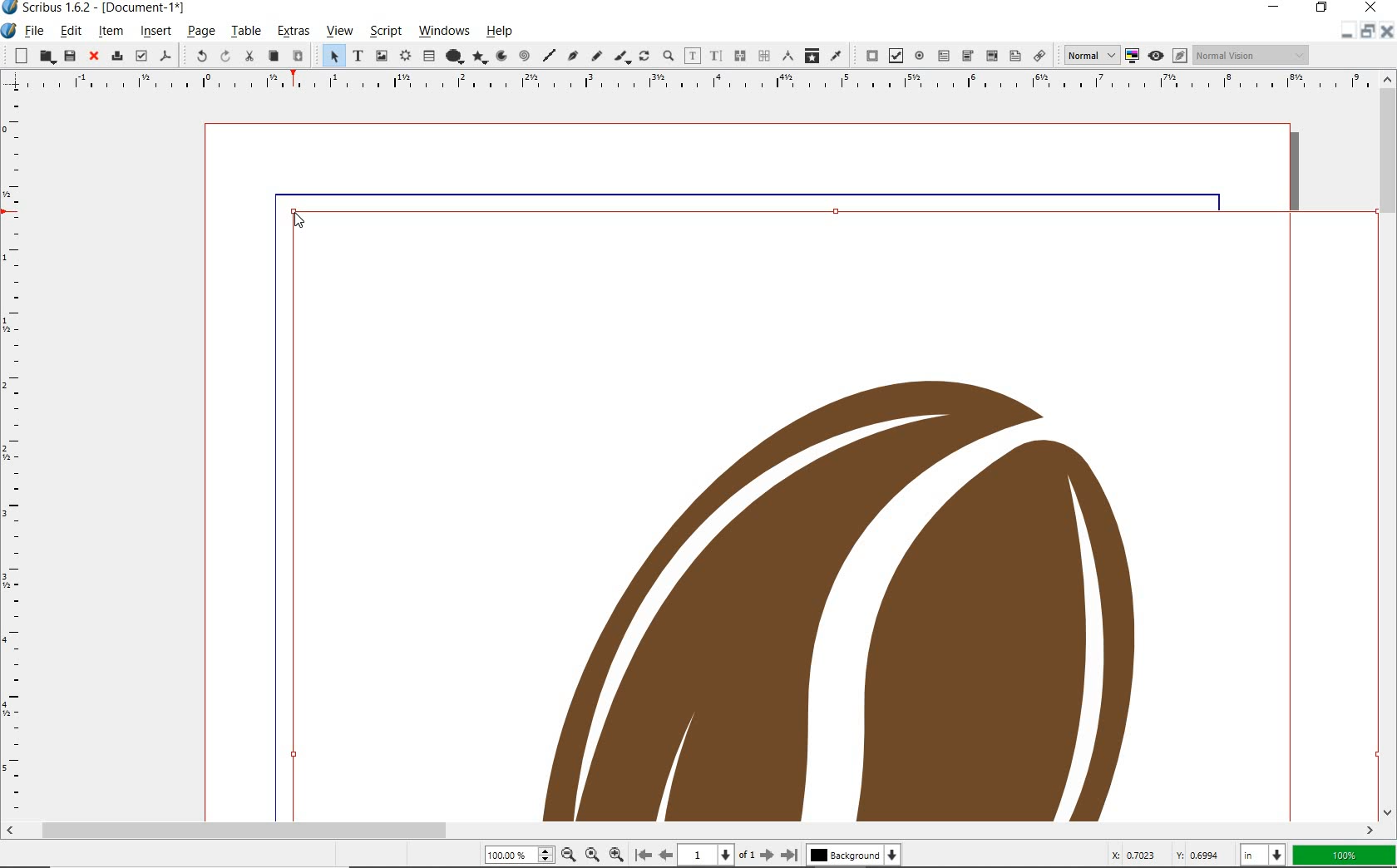 The image size is (1397, 868). Describe the element at coordinates (690, 832) in the screenshot. I see `scrollbar` at that location.